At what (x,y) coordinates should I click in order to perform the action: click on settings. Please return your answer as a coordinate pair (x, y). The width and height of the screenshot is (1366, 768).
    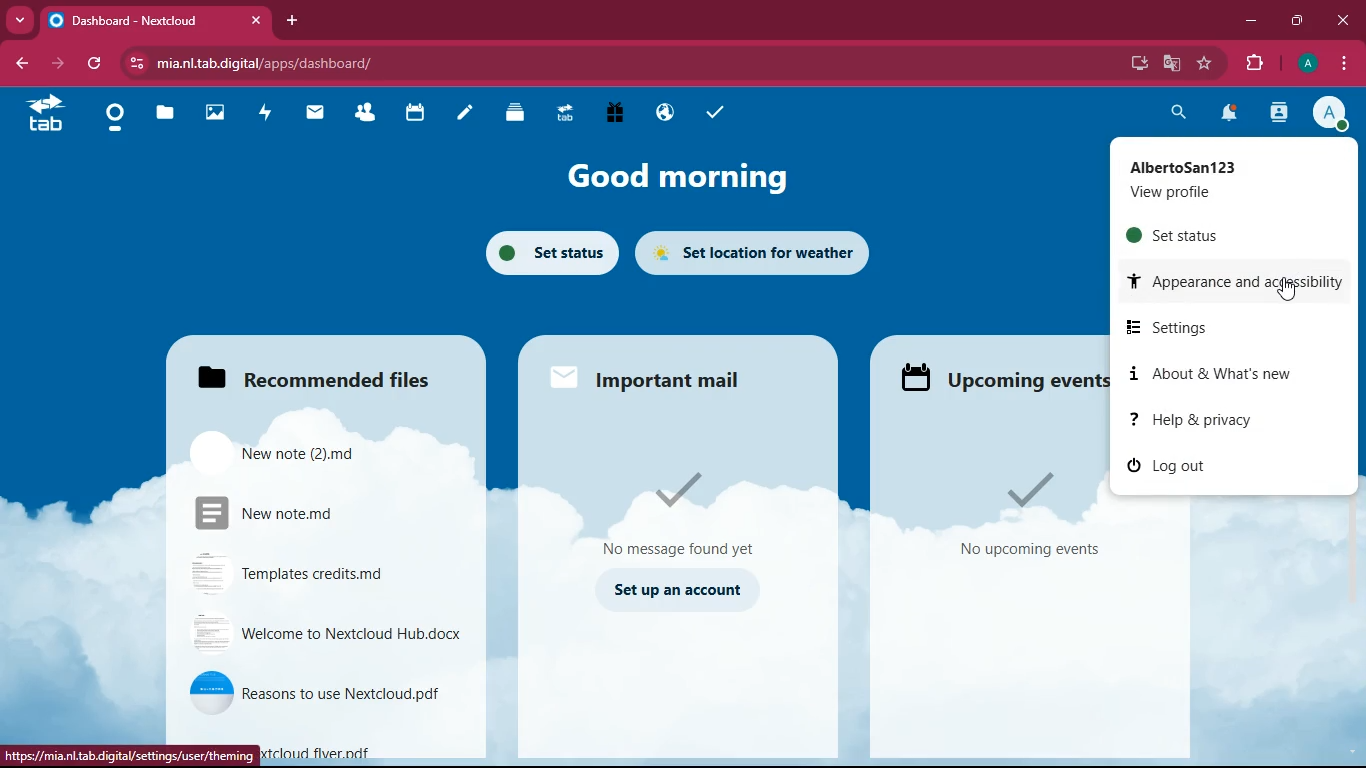
    Looking at the image, I should click on (1178, 327).